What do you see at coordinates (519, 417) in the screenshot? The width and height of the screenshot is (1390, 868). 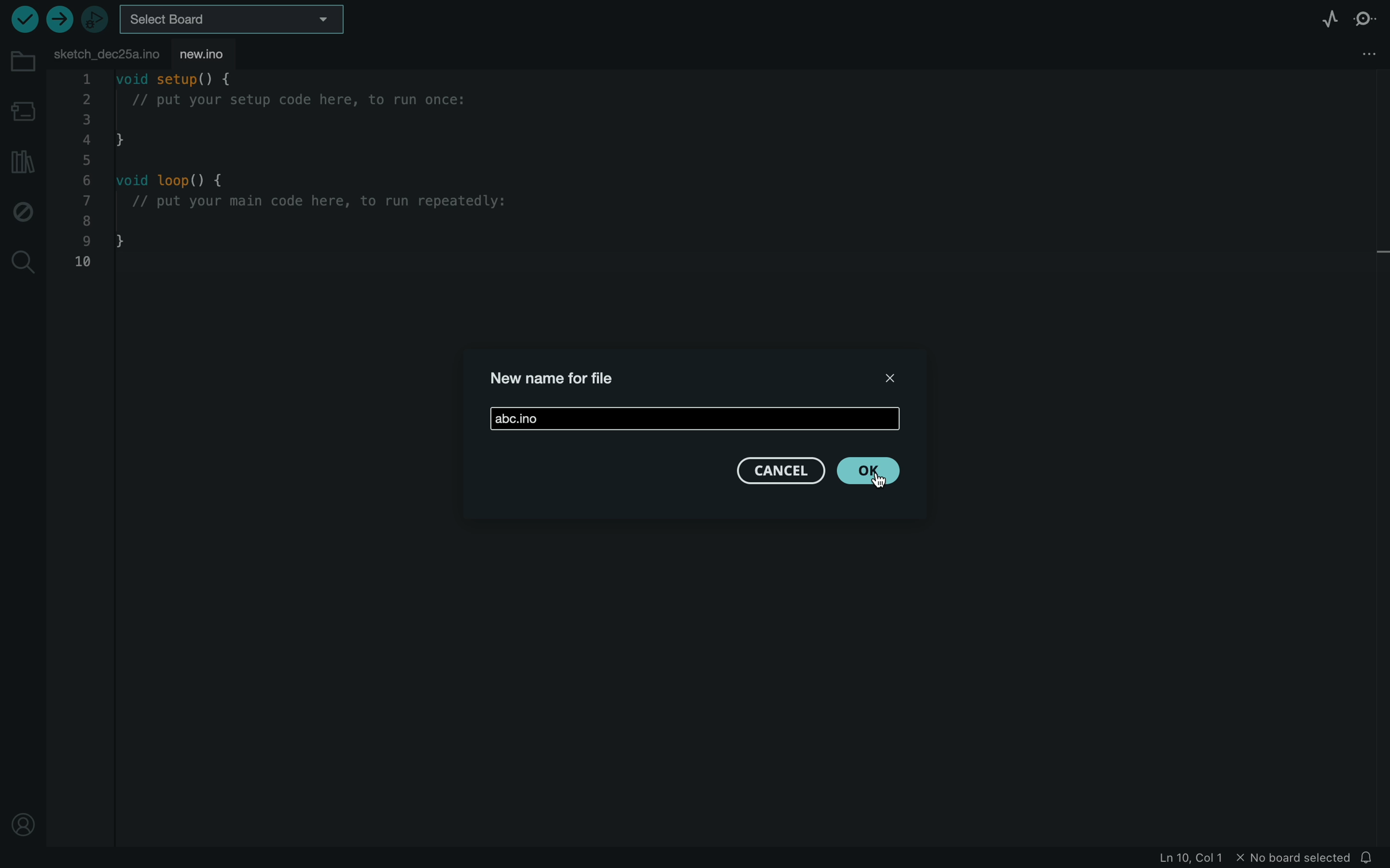 I see `new name` at bounding box center [519, 417].